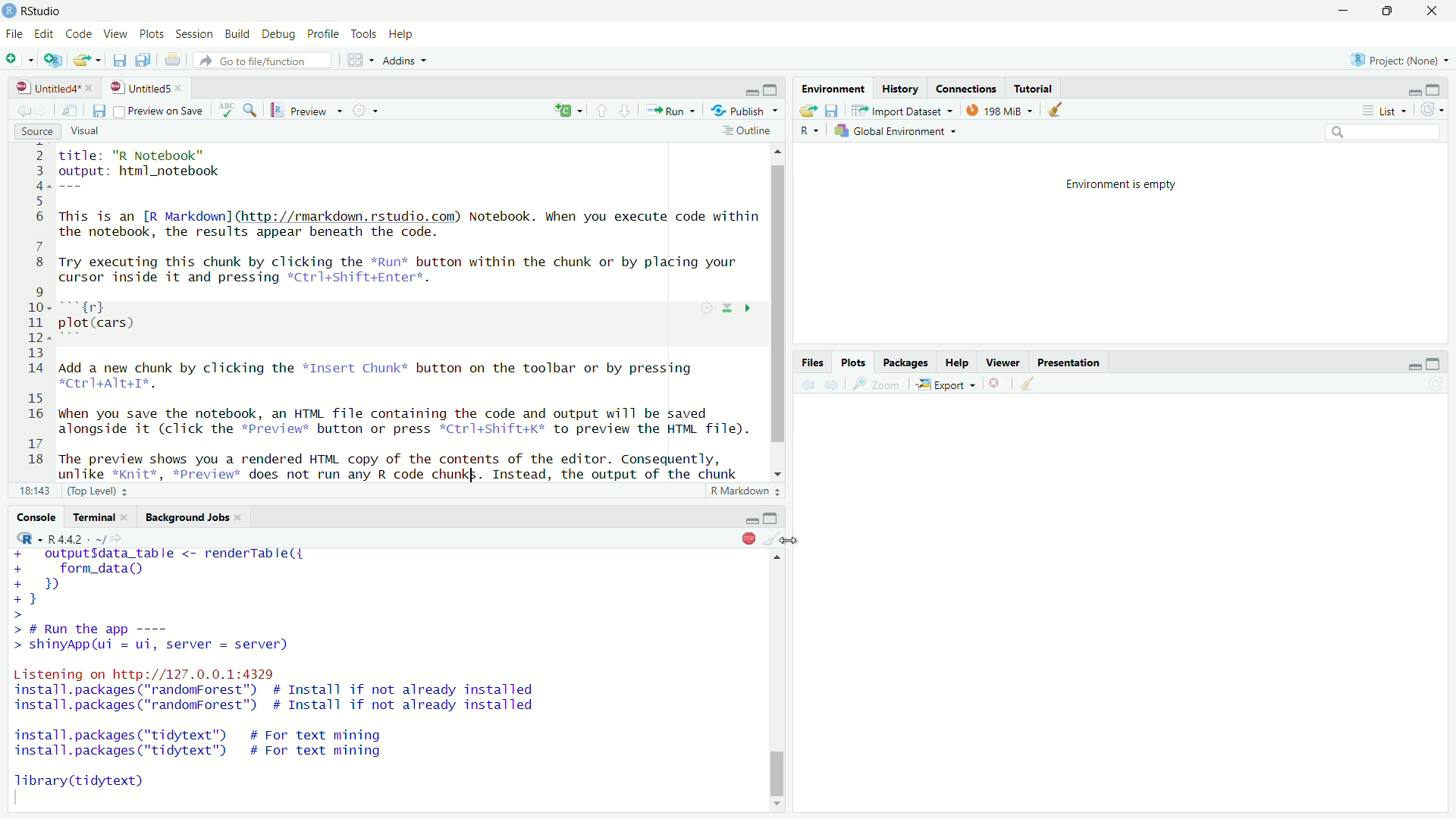 Image resolution: width=1456 pixels, height=819 pixels. Describe the element at coordinates (959, 364) in the screenshot. I see `Help` at that location.